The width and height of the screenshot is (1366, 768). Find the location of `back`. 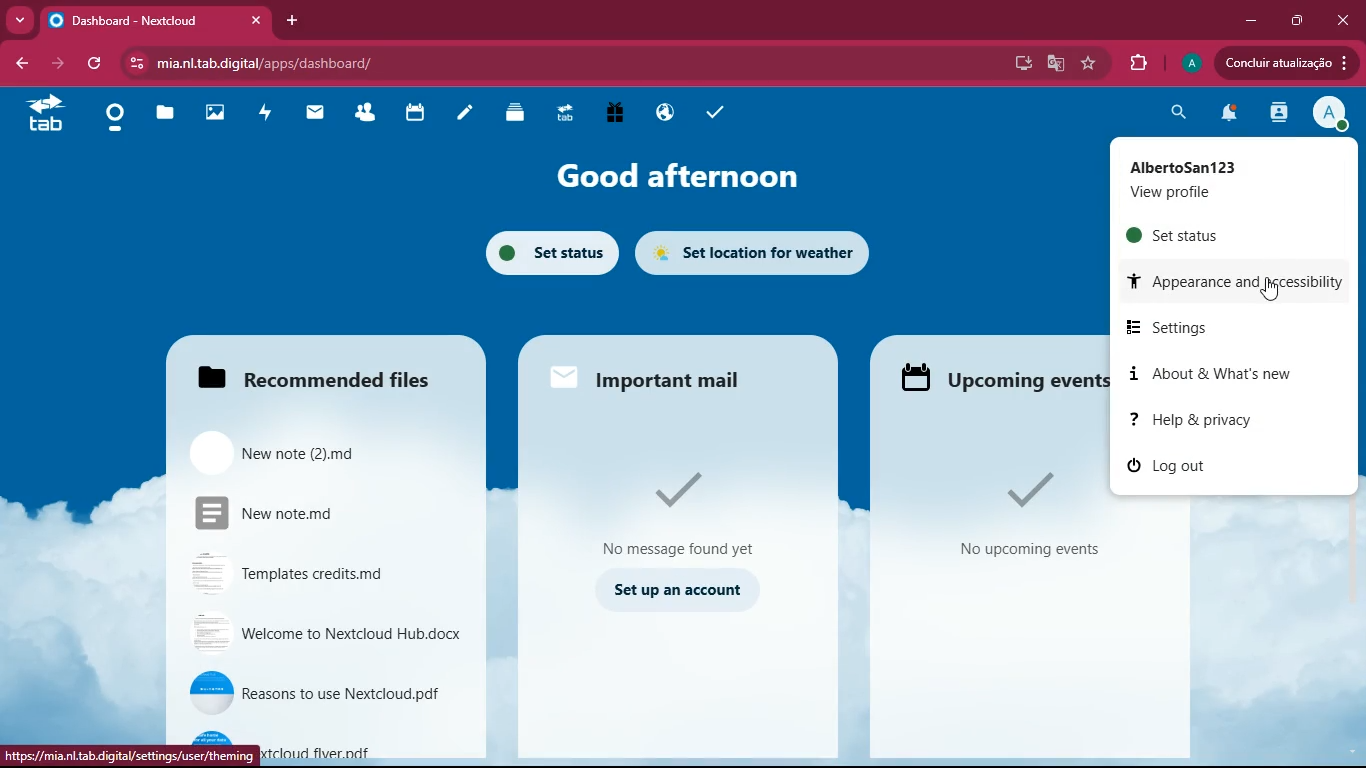

back is located at coordinates (19, 64).